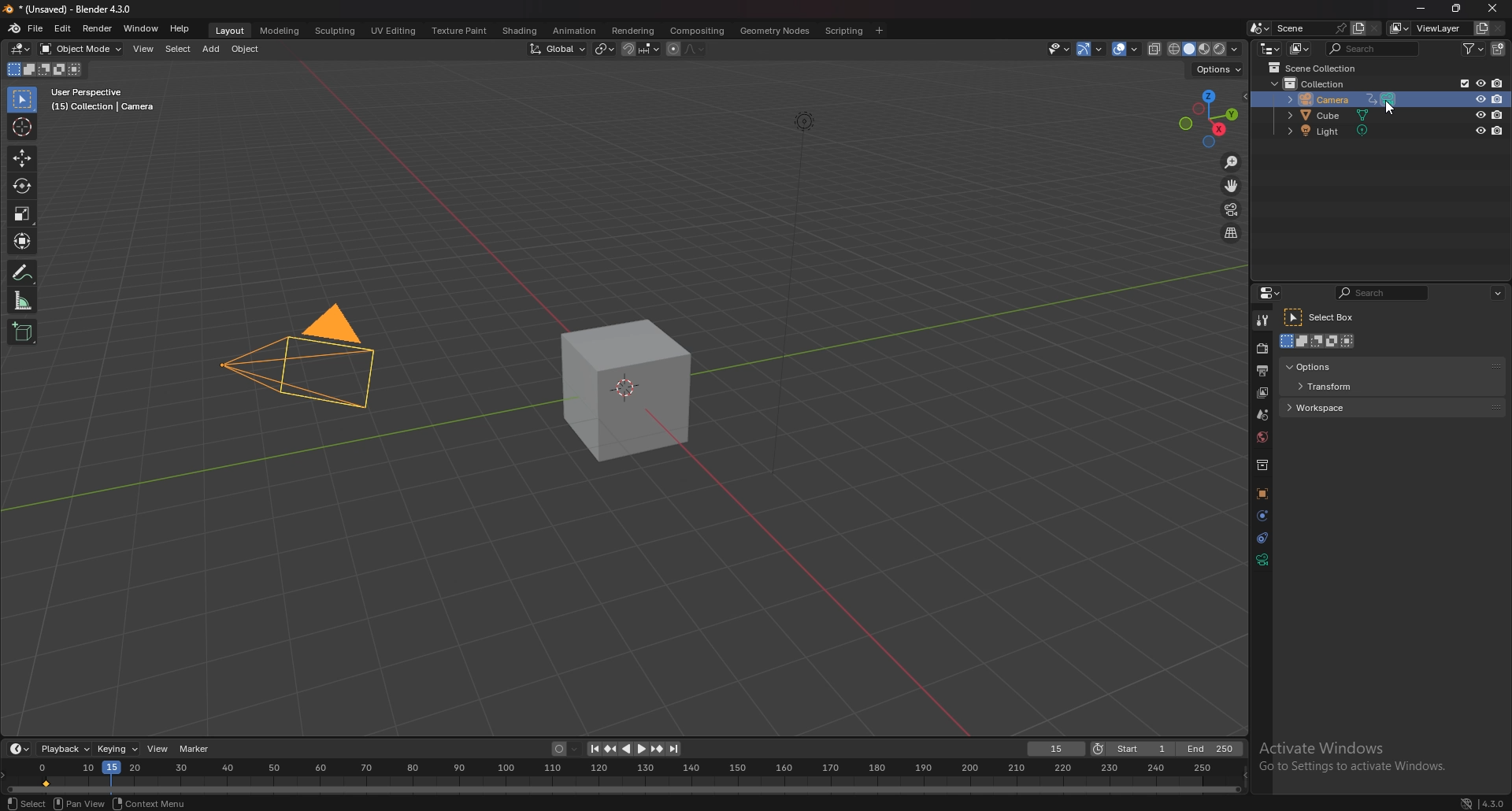 This screenshot has height=811, width=1512. I want to click on options, so click(1328, 366).